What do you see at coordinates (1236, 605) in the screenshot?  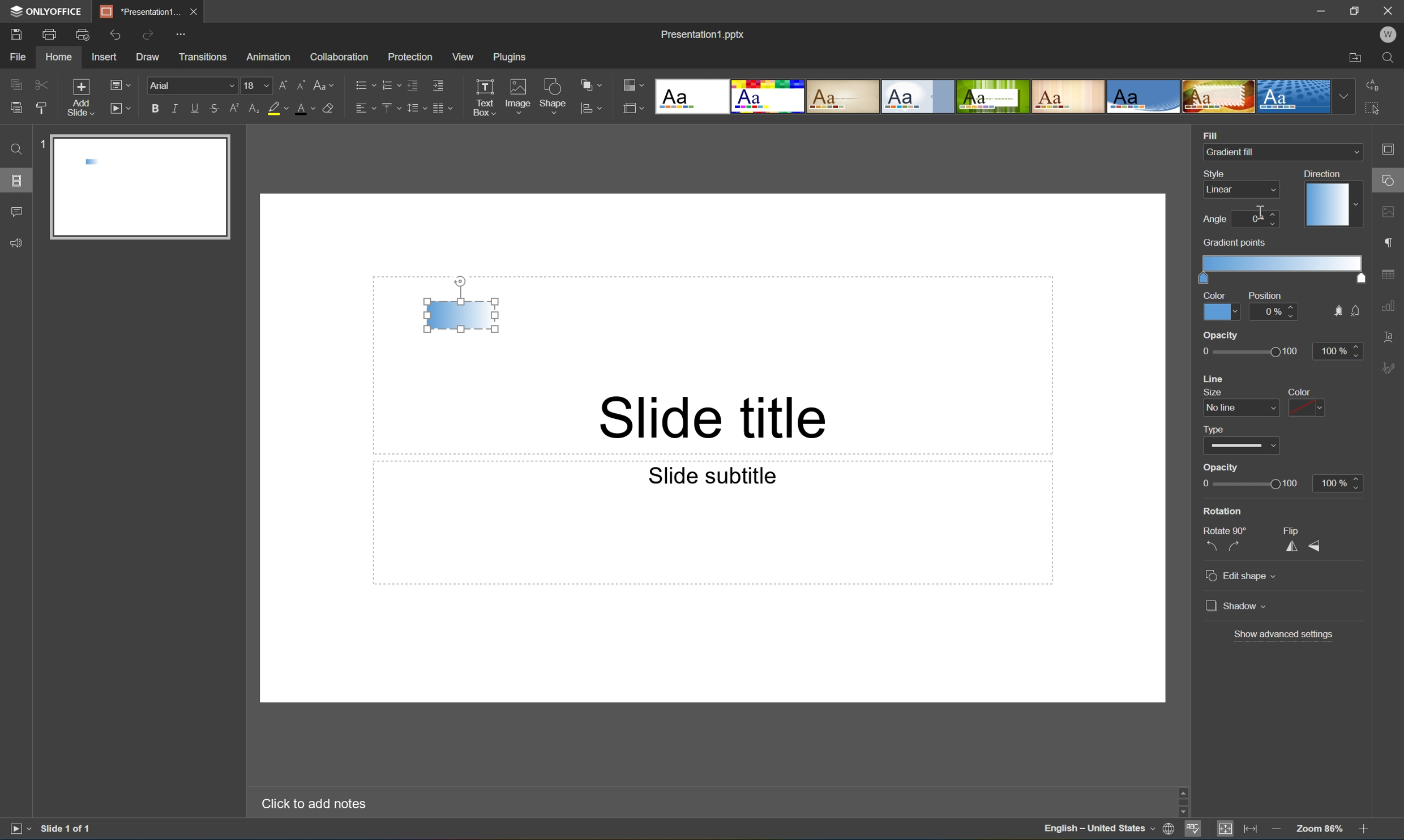 I see `Shadow` at bounding box center [1236, 605].